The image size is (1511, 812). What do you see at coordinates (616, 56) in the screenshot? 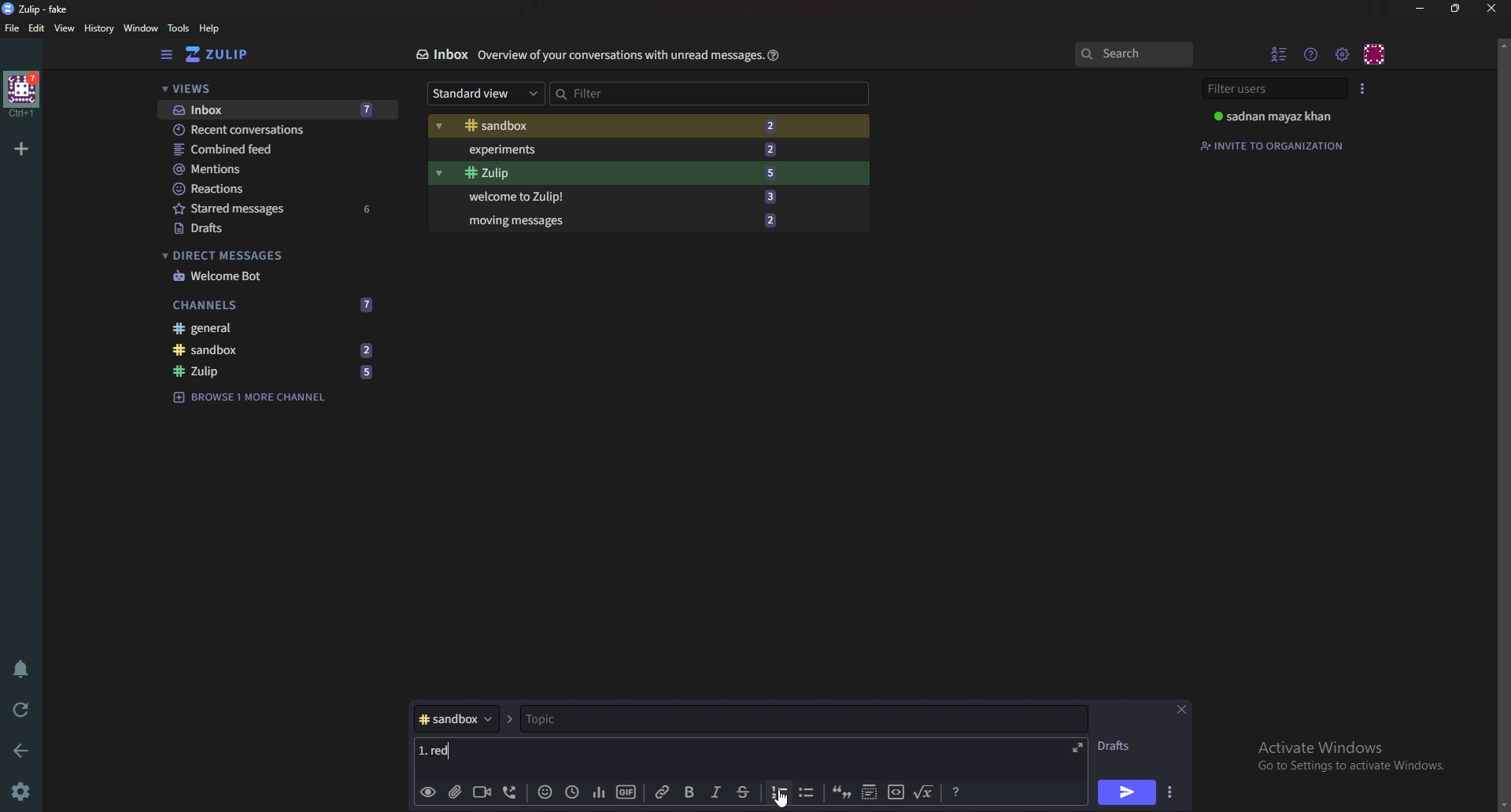
I see `Info` at bounding box center [616, 56].